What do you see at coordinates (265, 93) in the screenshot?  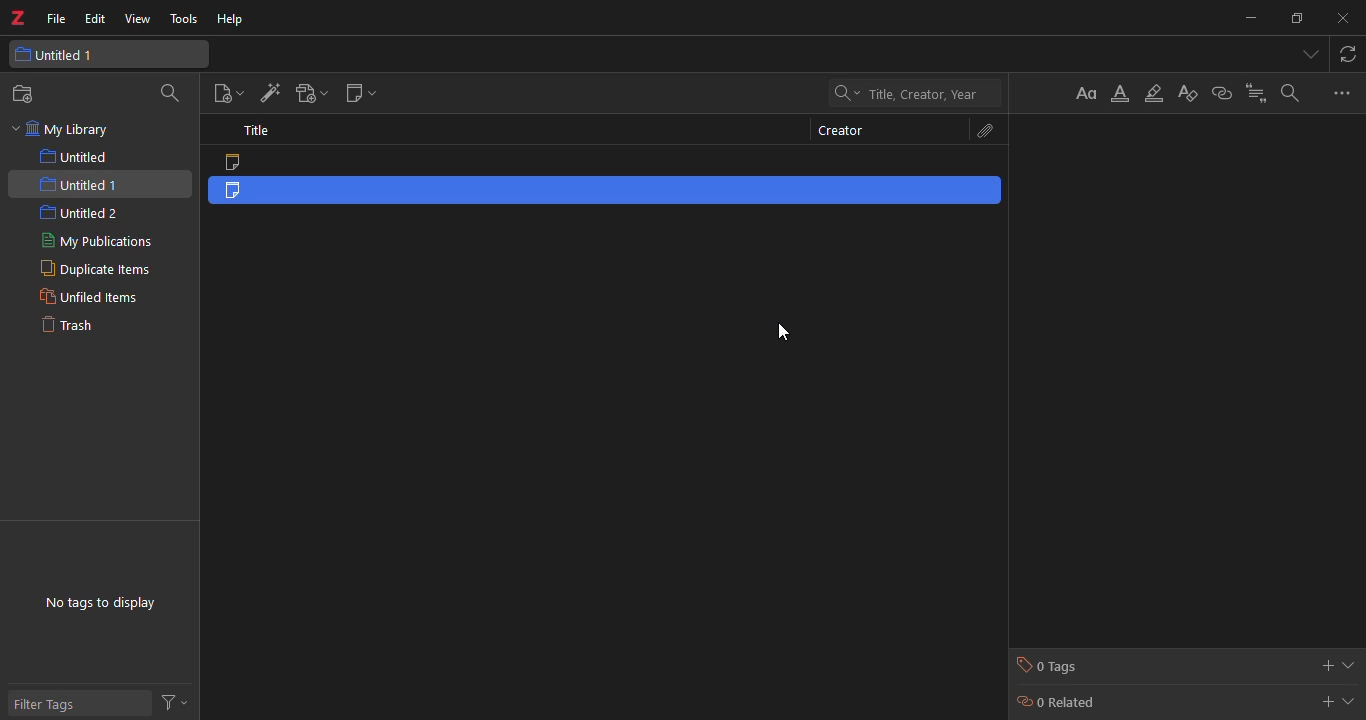 I see `add item` at bounding box center [265, 93].